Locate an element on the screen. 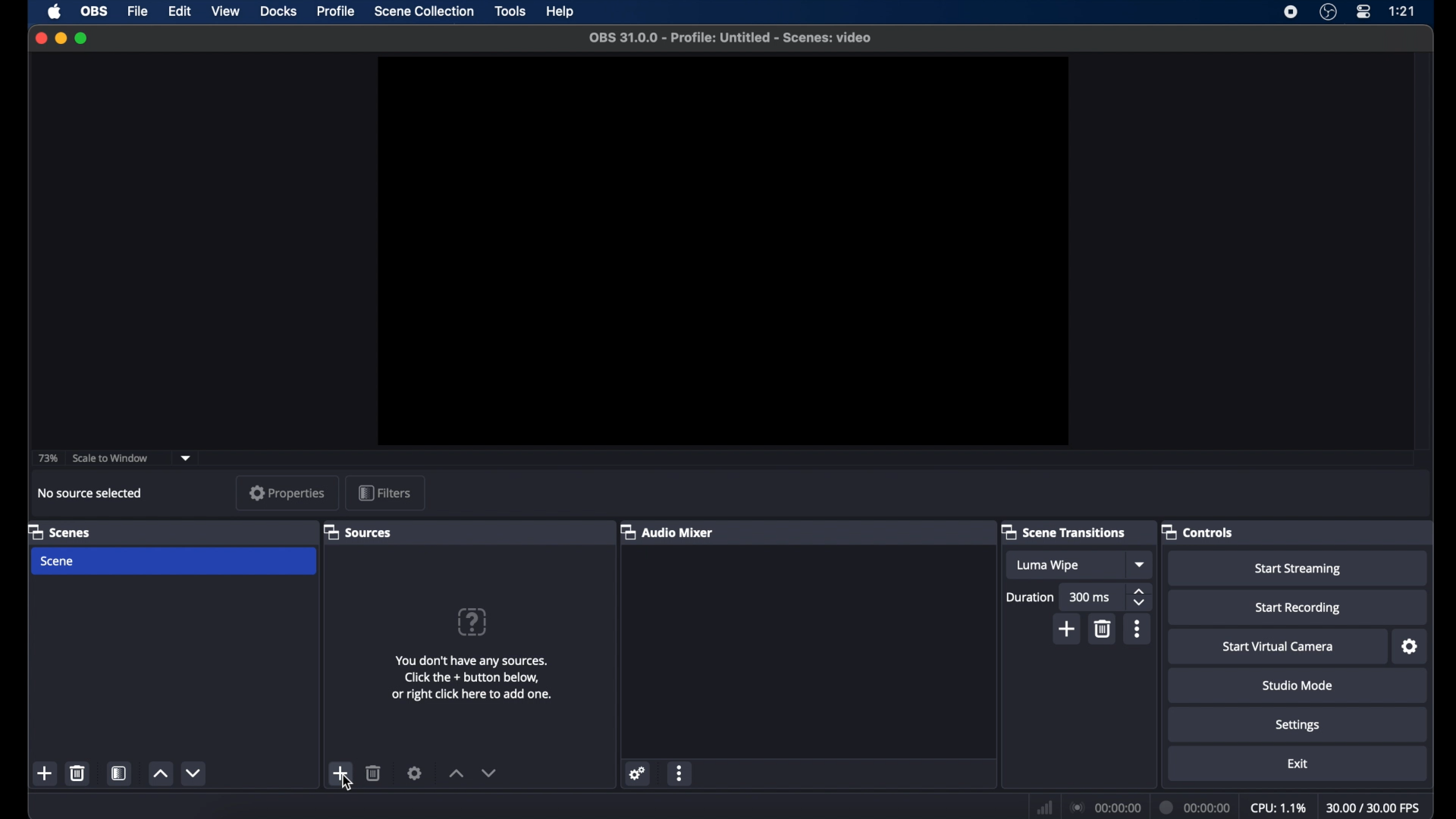 Image resolution: width=1456 pixels, height=819 pixels. add is located at coordinates (1068, 629).